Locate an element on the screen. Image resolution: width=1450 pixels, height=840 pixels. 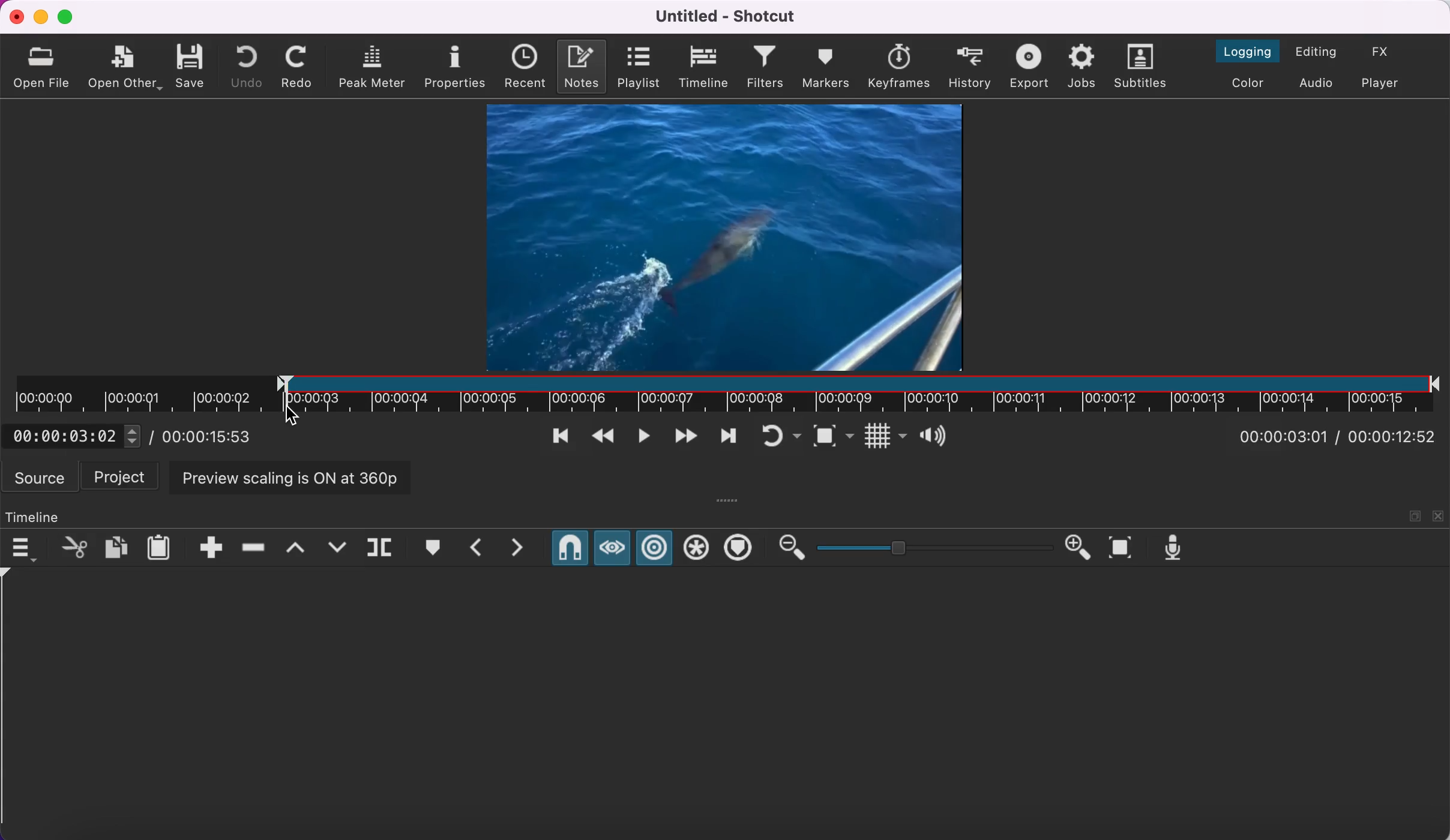
properties is located at coordinates (456, 65).